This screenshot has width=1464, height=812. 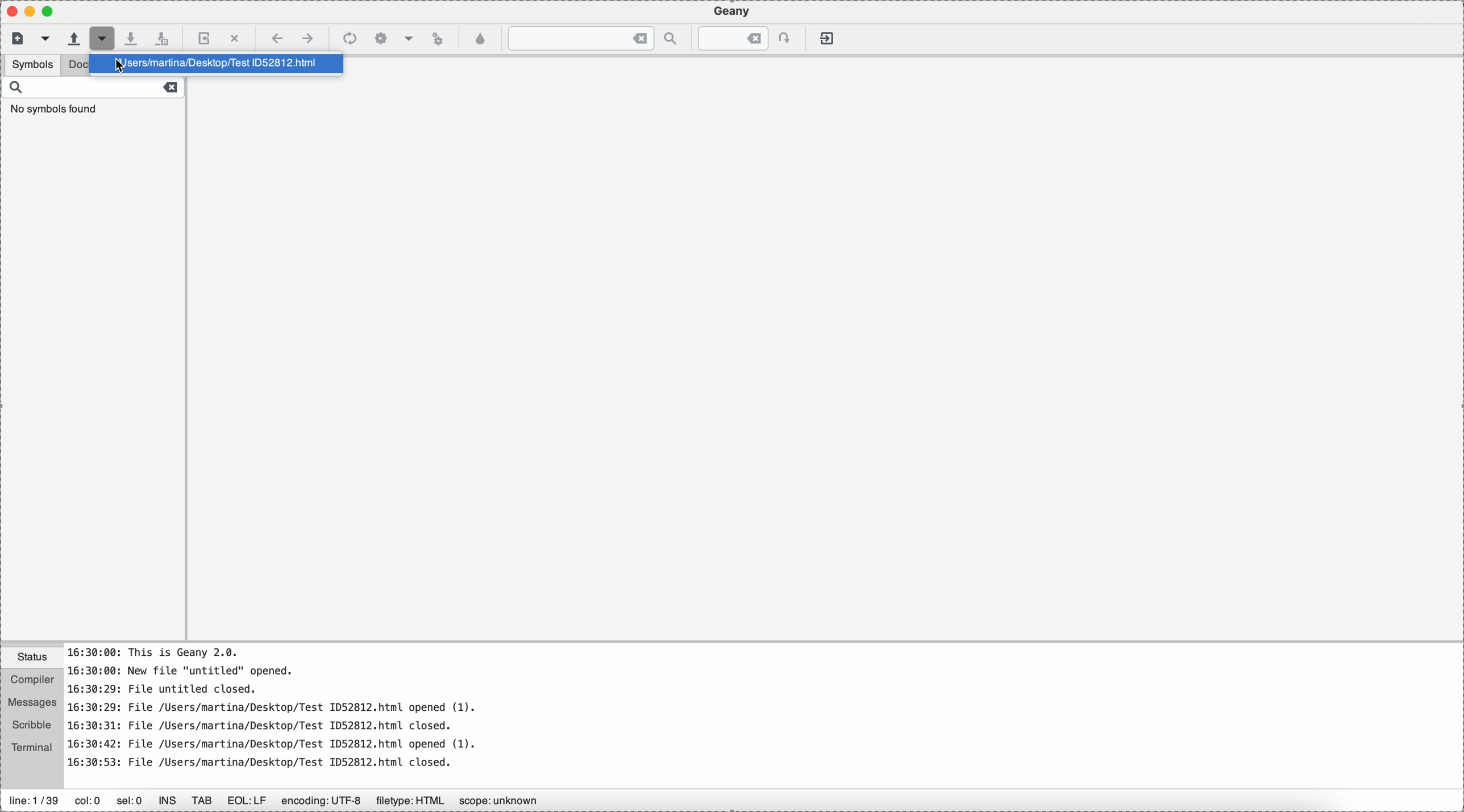 What do you see at coordinates (136, 37) in the screenshot?
I see `save the current file` at bounding box center [136, 37].